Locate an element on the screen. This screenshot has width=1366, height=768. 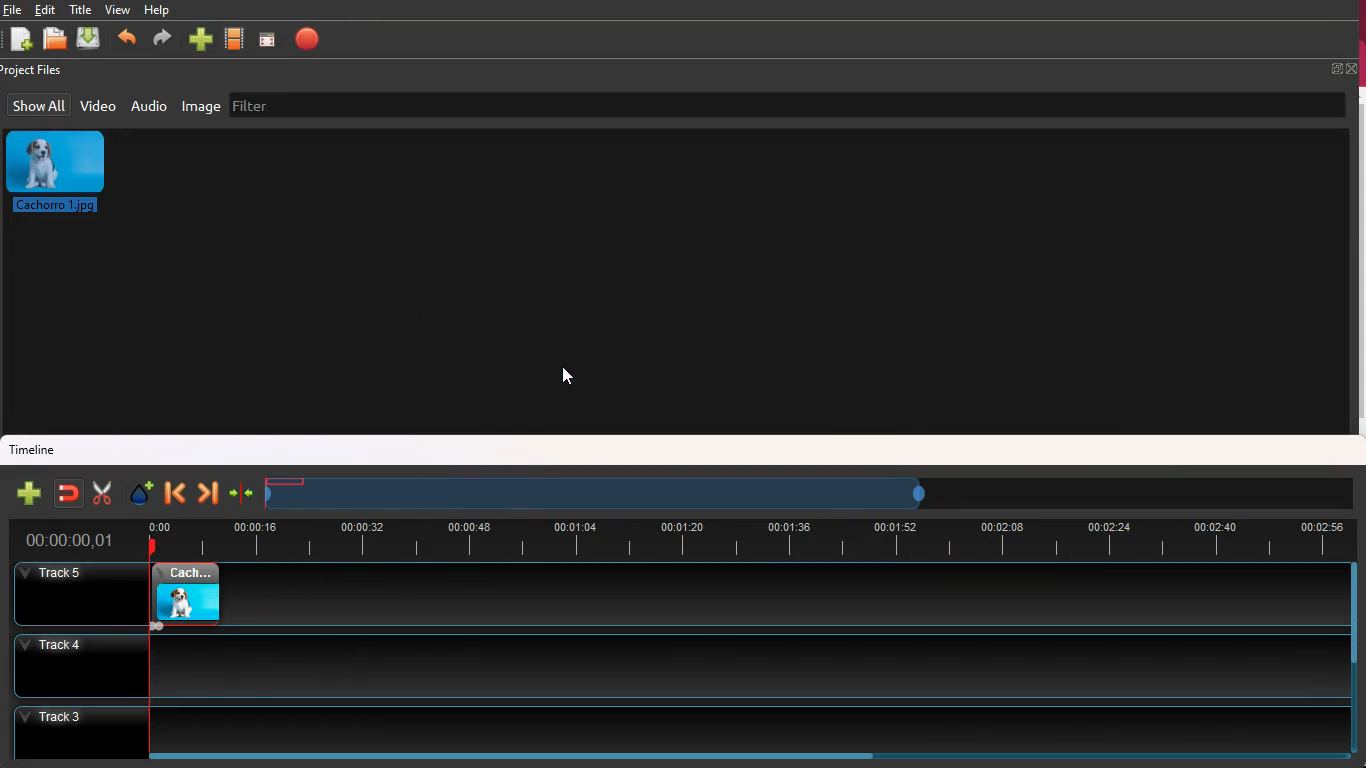
edit is located at coordinates (47, 10).